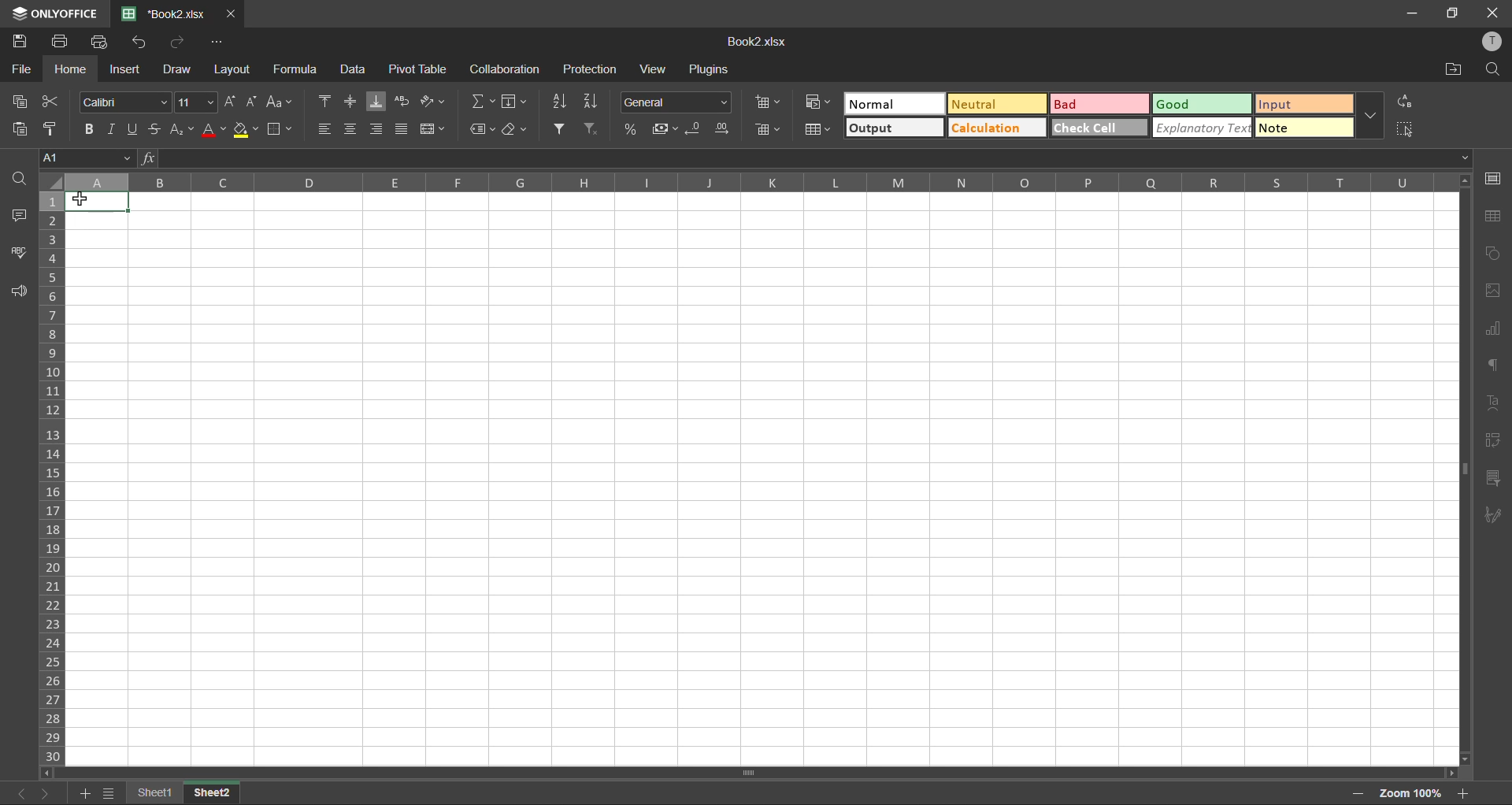 This screenshot has height=805, width=1512. I want to click on data, so click(352, 71).